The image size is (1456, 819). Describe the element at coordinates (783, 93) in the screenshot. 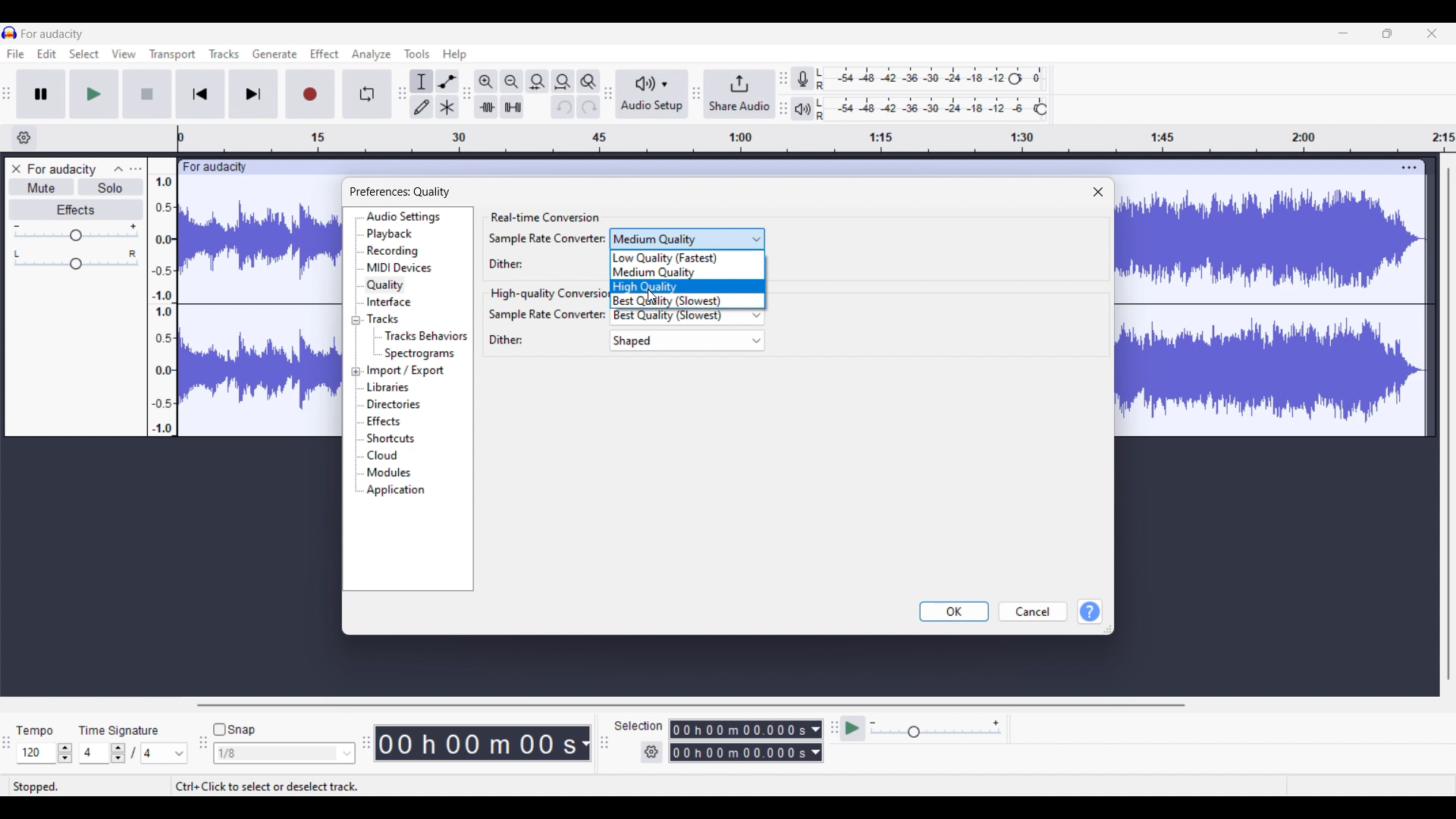

I see `Change position of respective level` at that location.